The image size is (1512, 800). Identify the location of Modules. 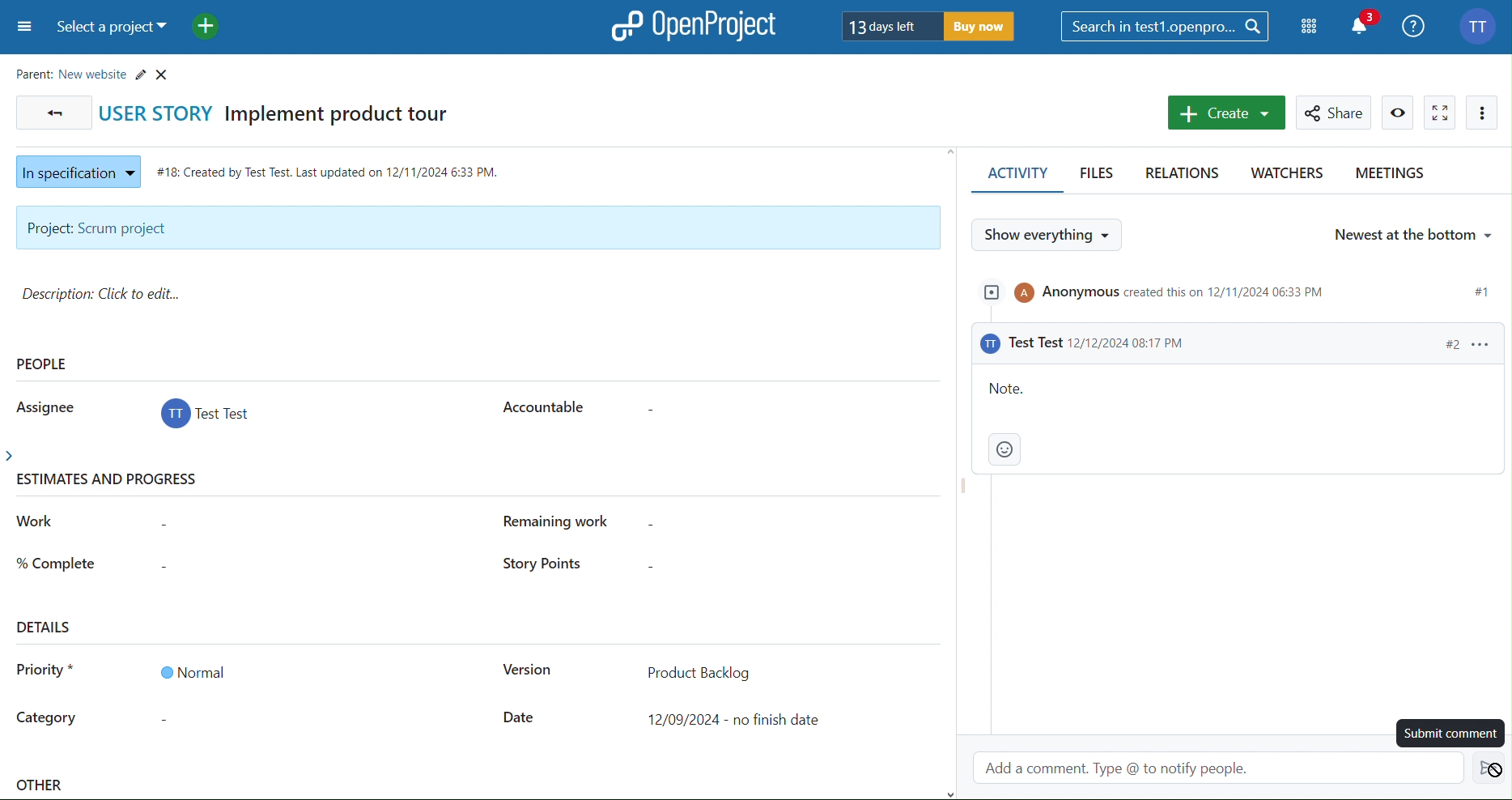
(1310, 27).